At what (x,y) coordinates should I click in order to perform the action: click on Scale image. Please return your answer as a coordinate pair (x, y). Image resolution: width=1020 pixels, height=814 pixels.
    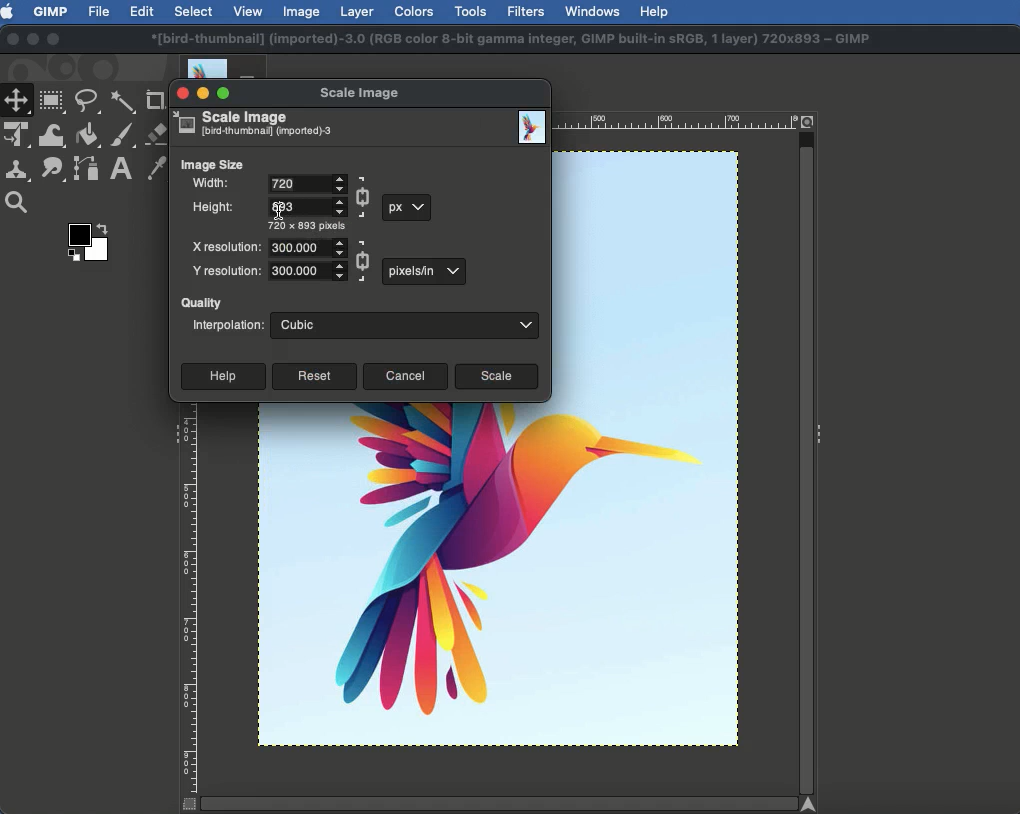
    Looking at the image, I should click on (358, 88).